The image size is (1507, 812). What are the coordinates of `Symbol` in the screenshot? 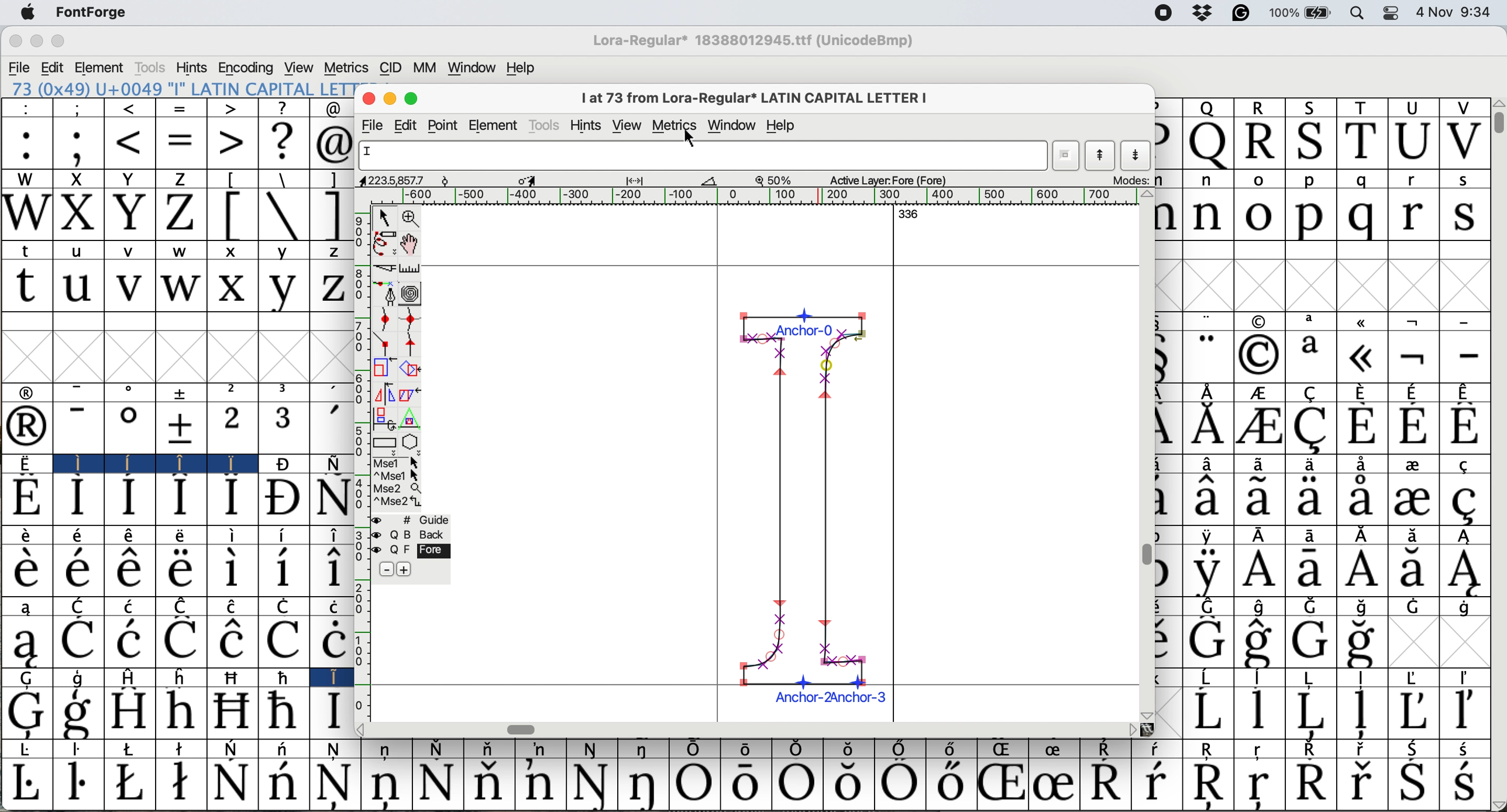 It's located at (232, 571).